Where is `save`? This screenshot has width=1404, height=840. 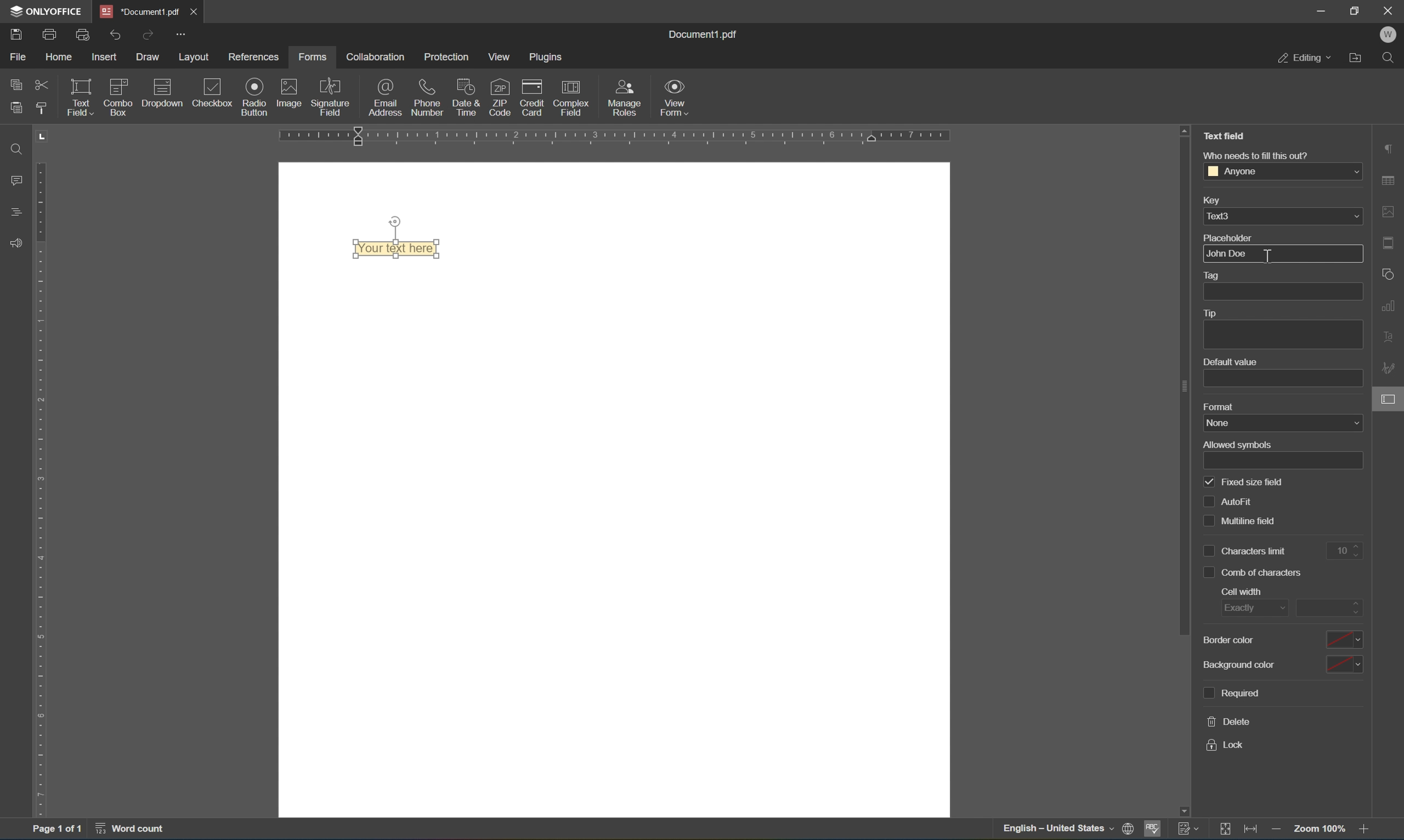 save is located at coordinates (11, 35).